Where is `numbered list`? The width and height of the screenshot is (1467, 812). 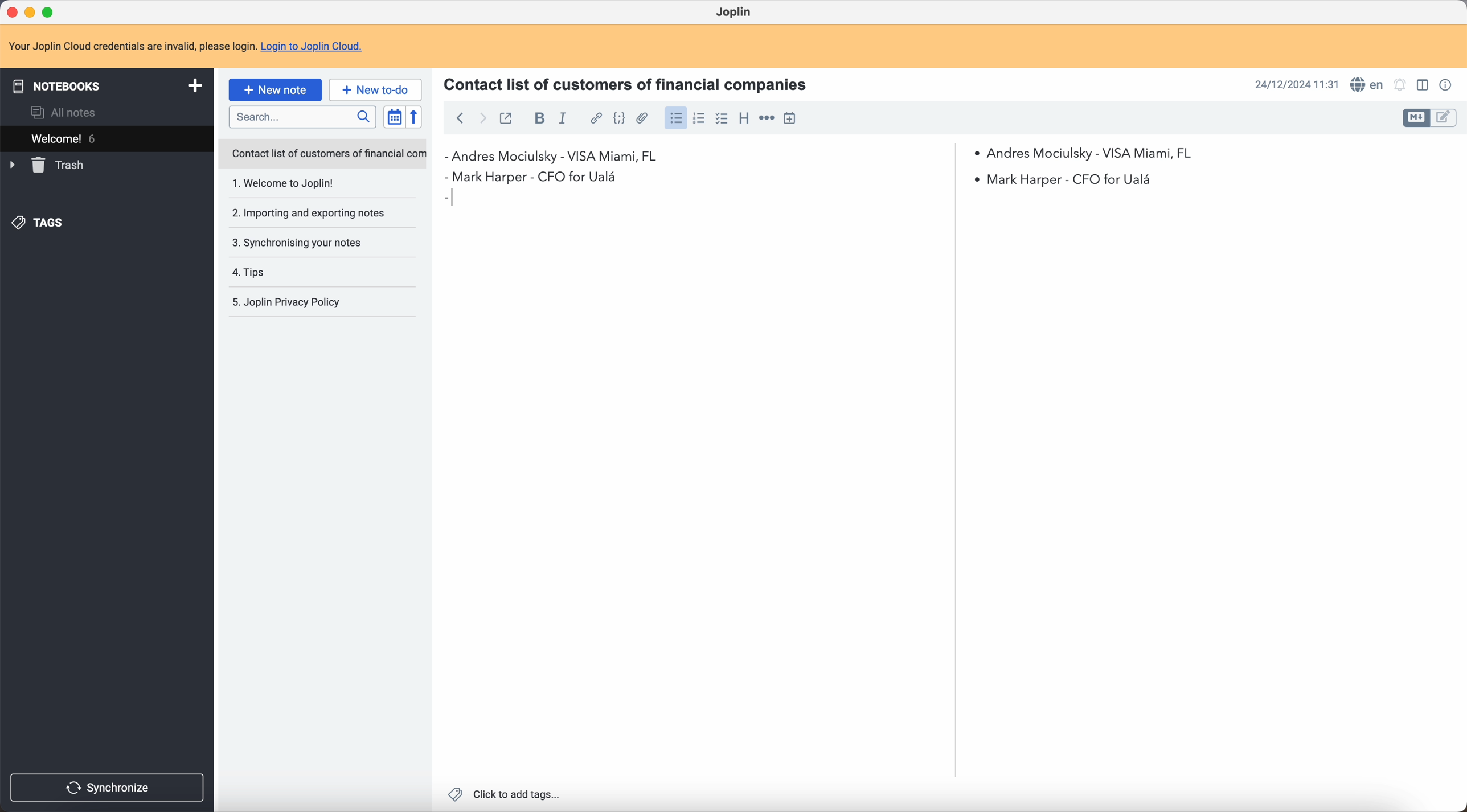 numbered list is located at coordinates (700, 118).